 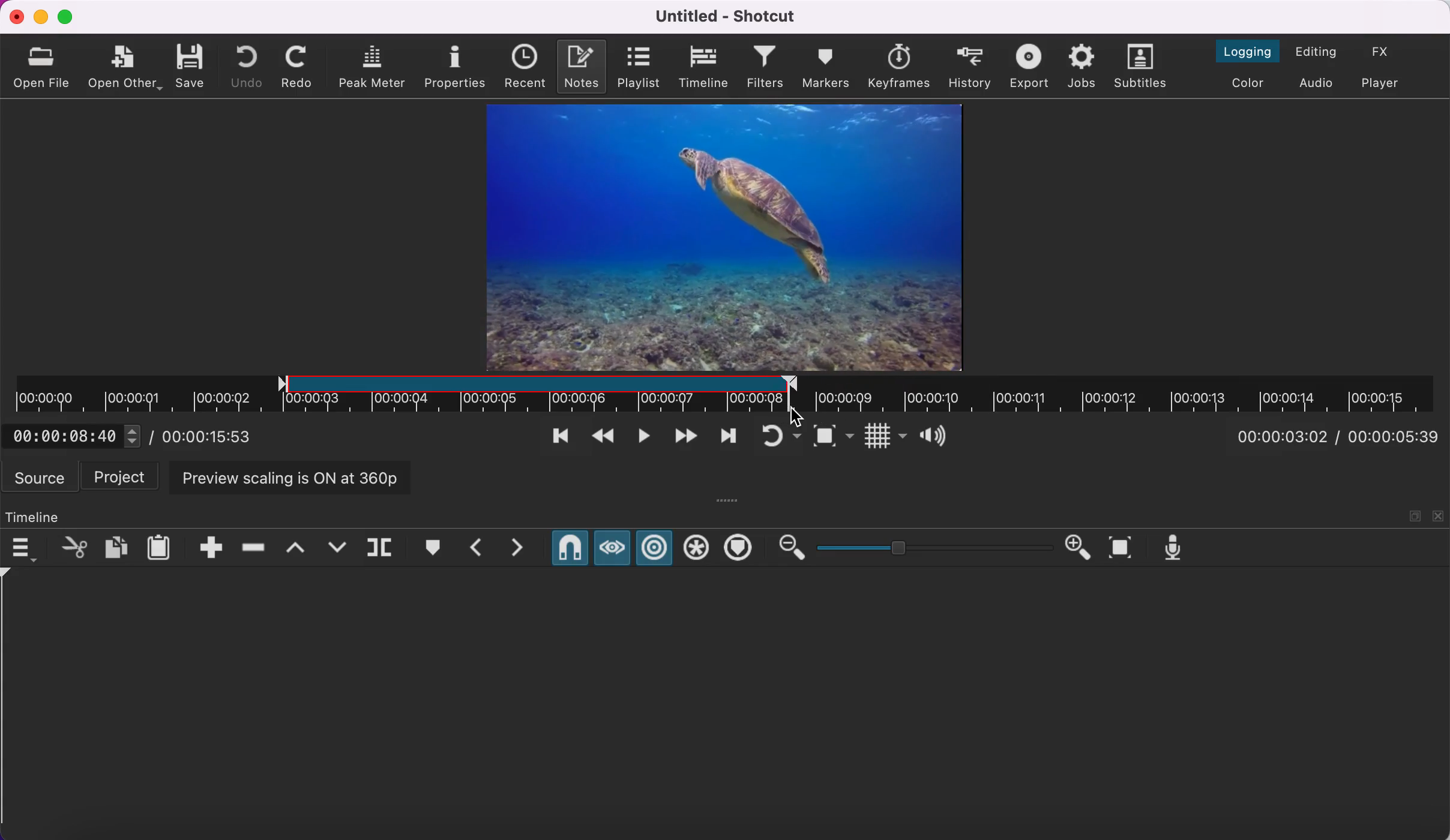 What do you see at coordinates (933, 547) in the screenshot?
I see `zoom graduation` at bounding box center [933, 547].